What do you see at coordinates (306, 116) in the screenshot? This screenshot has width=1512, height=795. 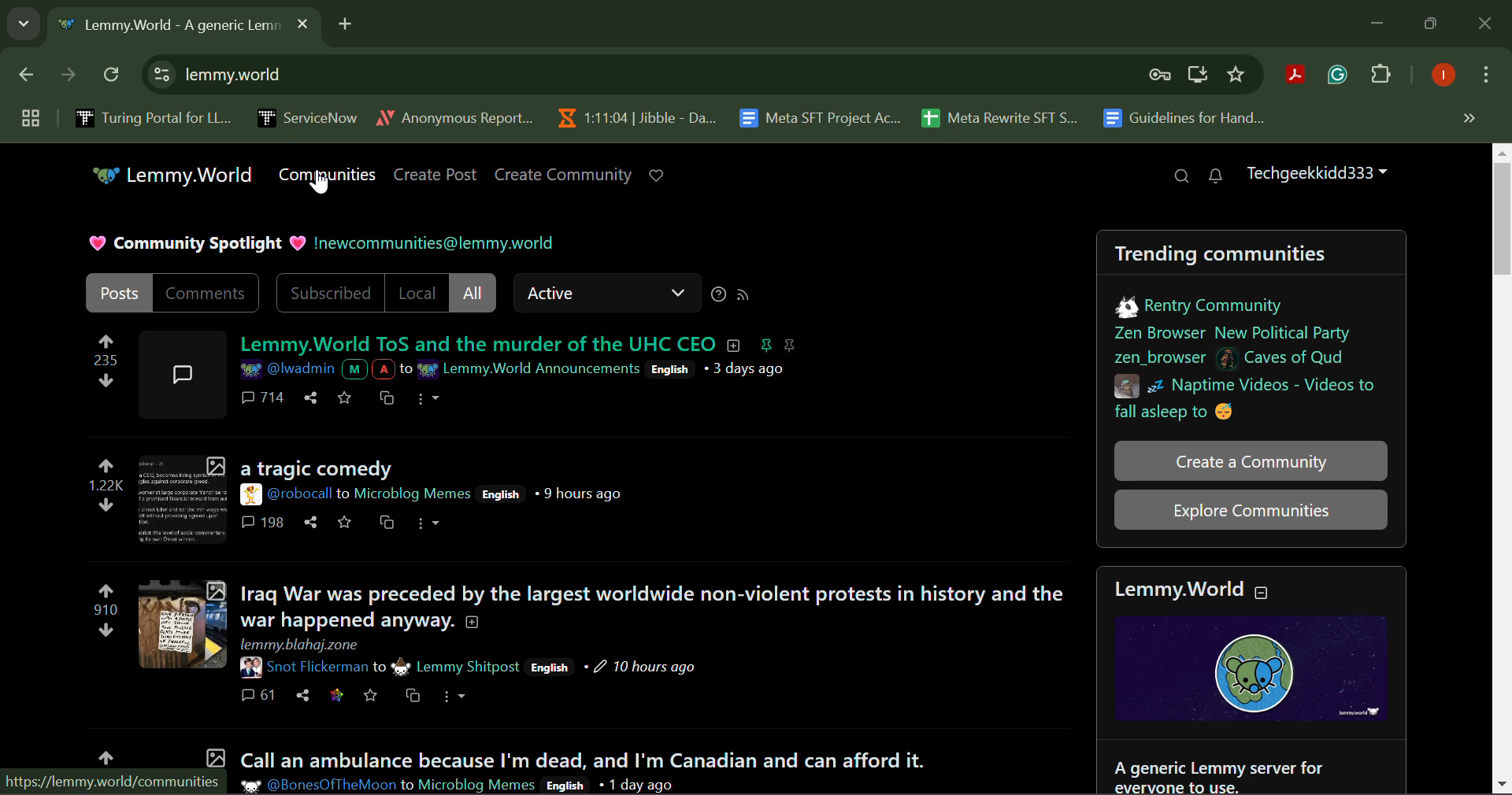 I see `ServiceNow` at bounding box center [306, 116].